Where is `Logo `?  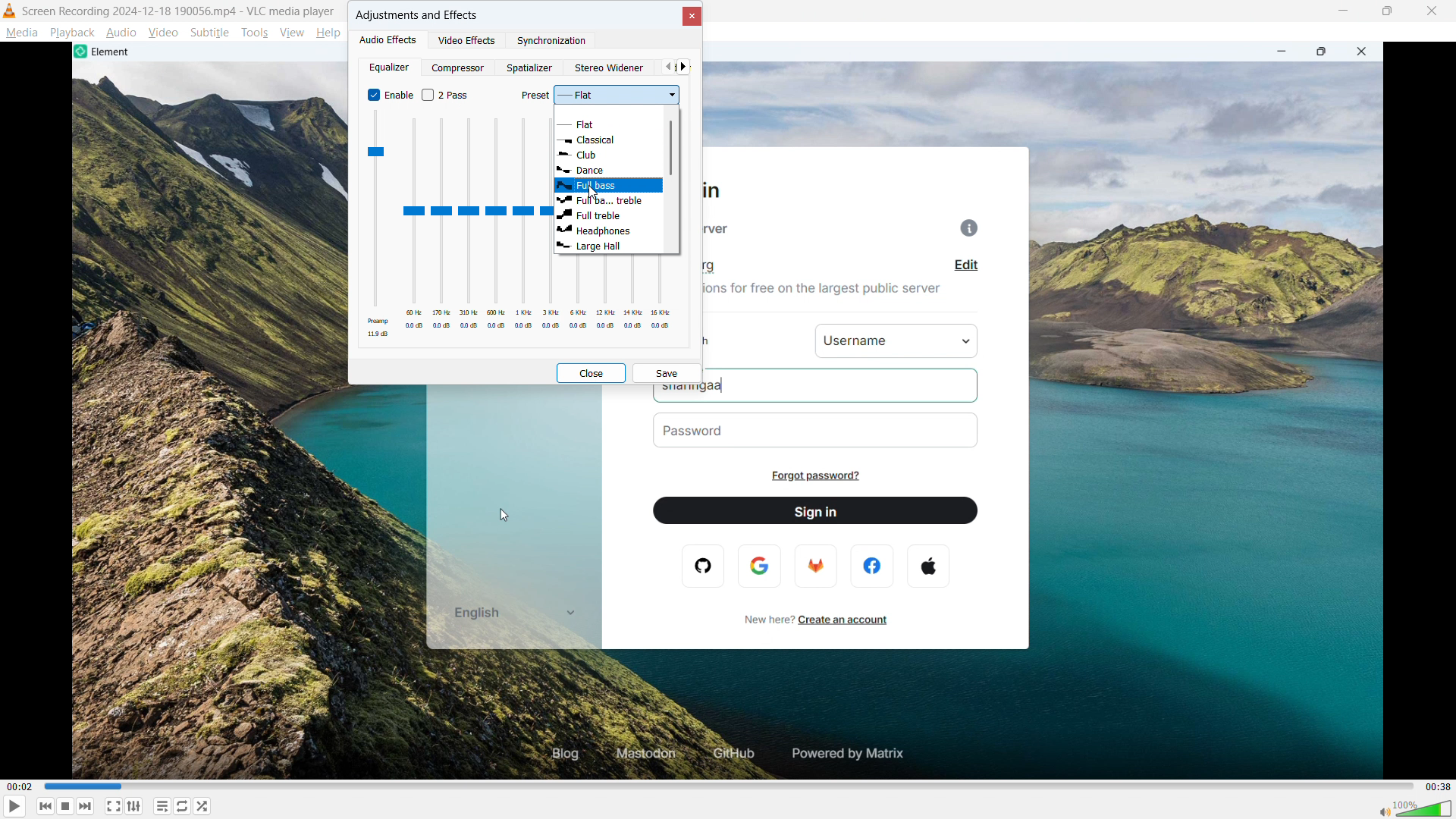 Logo  is located at coordinates (10, 11).